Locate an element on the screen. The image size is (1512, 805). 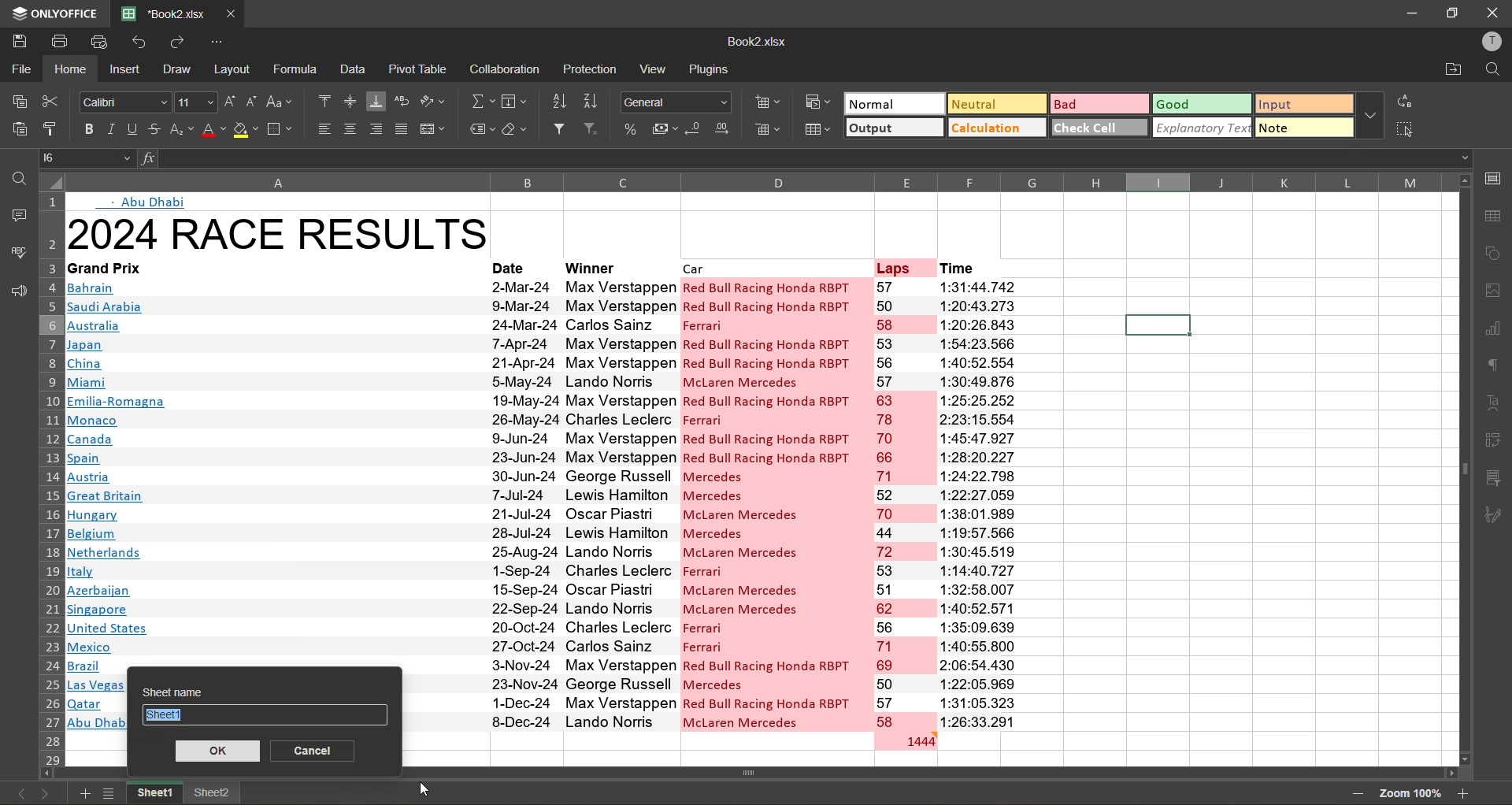
formula bar is located at coordinates (797, 158).